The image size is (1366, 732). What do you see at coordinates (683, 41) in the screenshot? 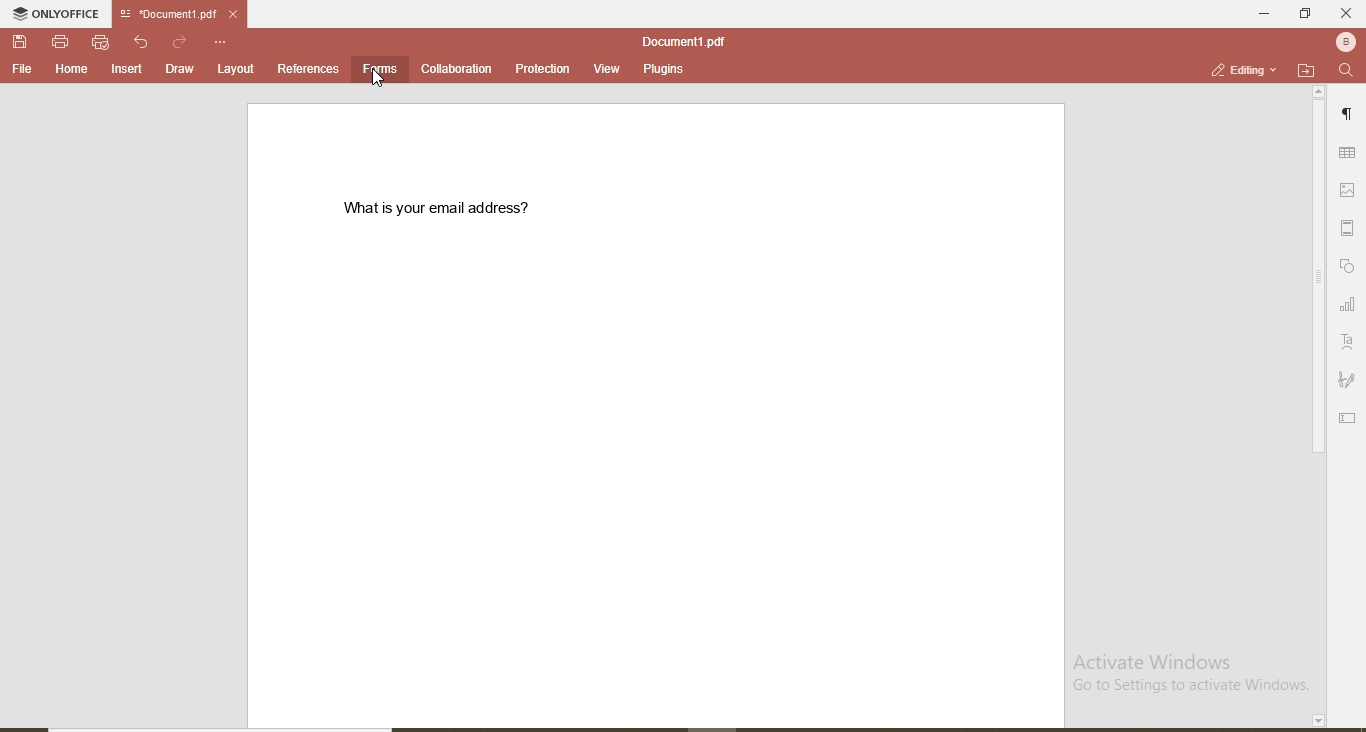
I see `file name` at bounding box center [683, 41].